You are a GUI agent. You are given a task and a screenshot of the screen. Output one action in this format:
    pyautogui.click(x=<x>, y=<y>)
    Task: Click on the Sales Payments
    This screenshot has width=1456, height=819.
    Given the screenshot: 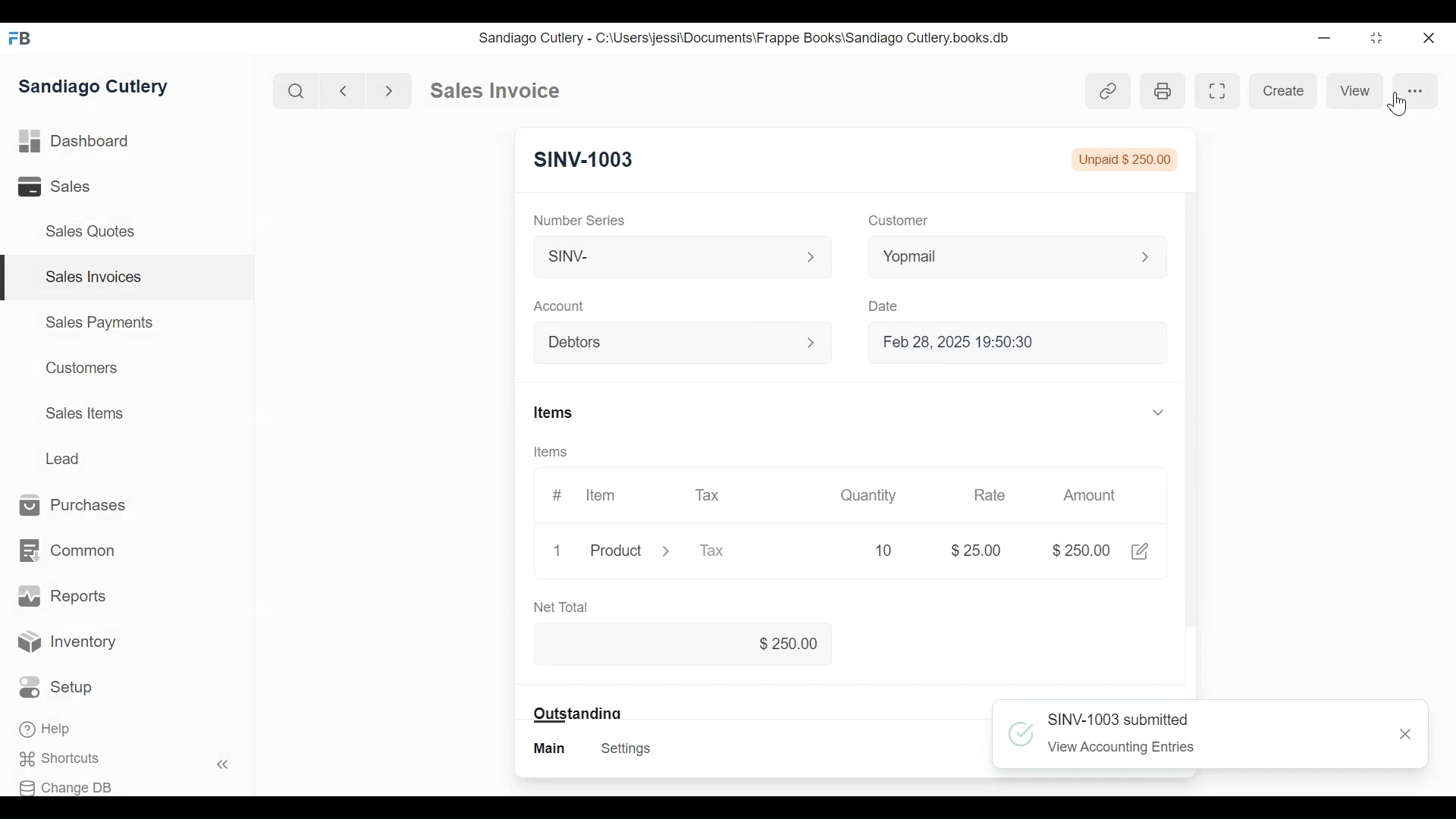 What is the action you would take?
    pyautogui.click(x=98, y=322)
    